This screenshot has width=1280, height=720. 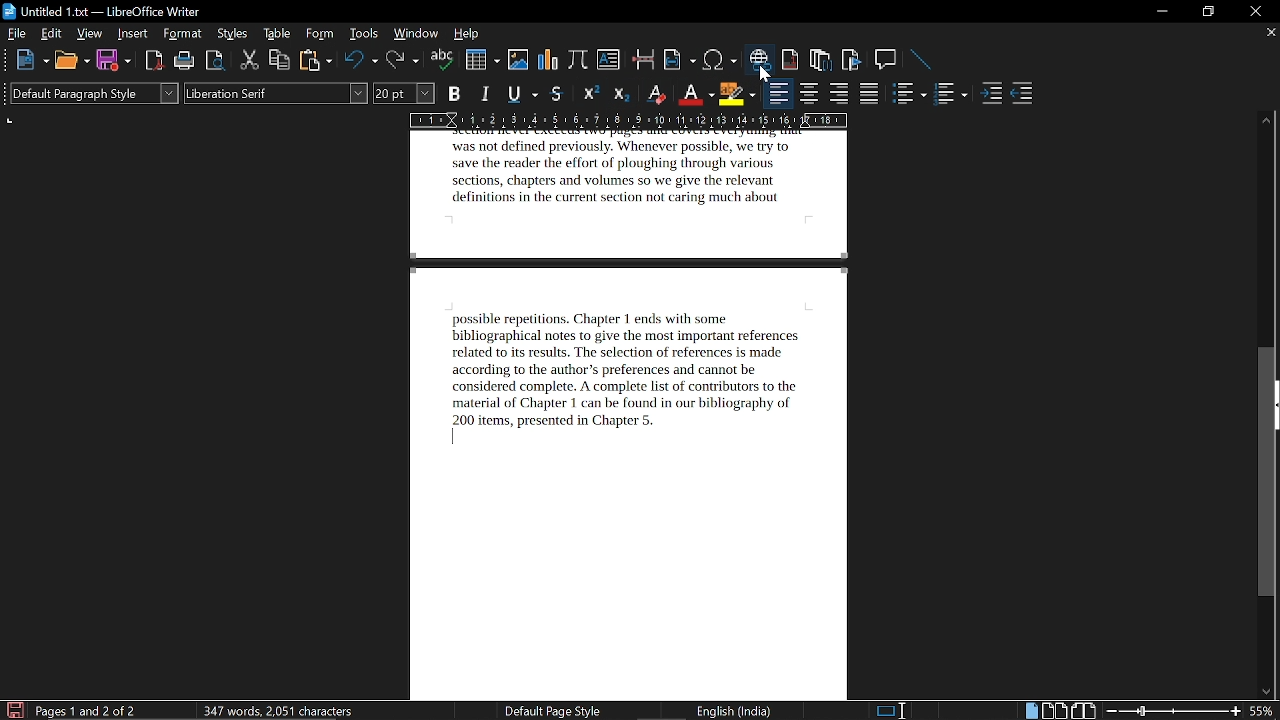 What do you see at coordinates (791, 59) in the screenshot?
I see `insert footnote` at bounding box center [791, 59].